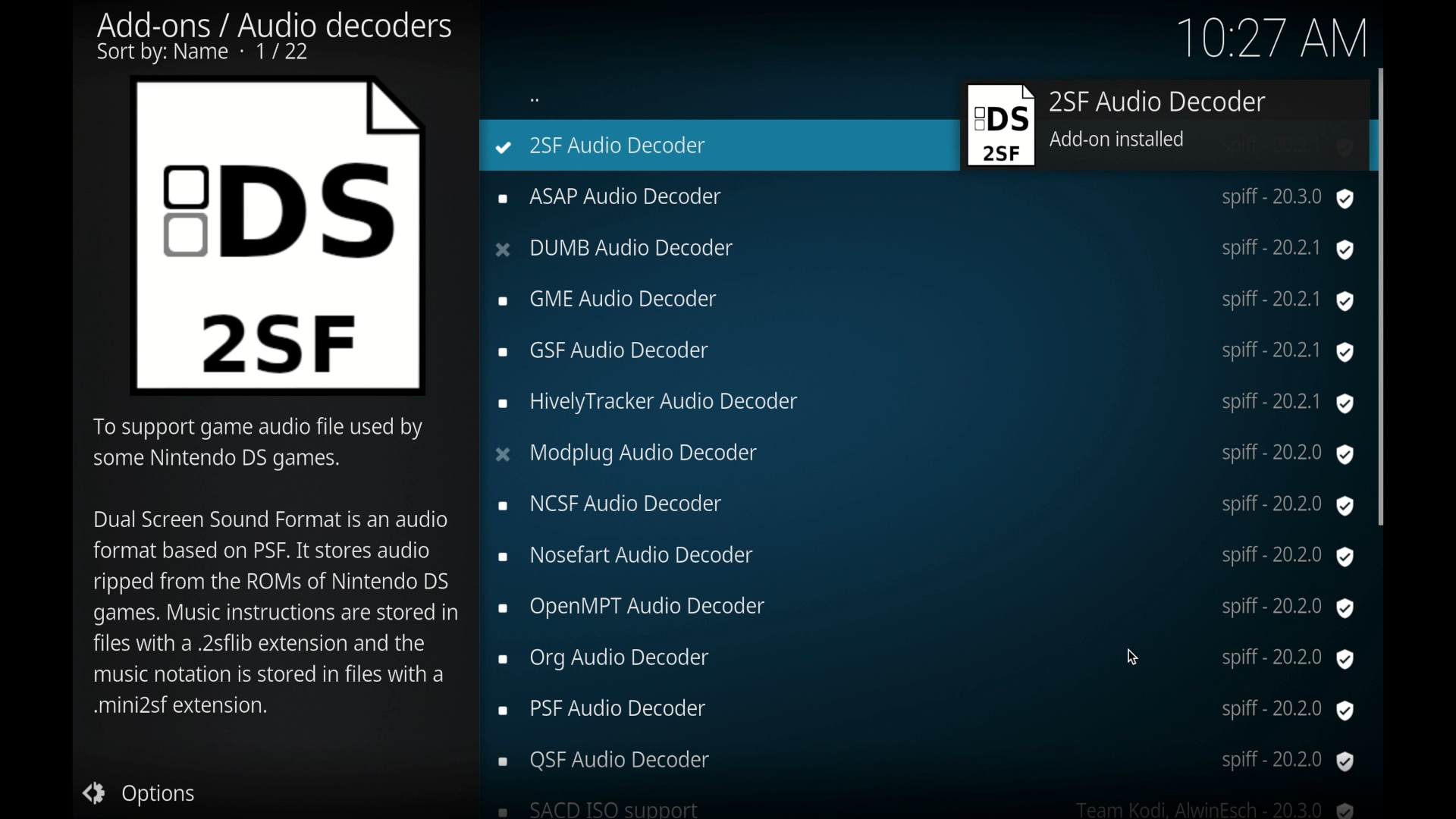 This screenshot has width=1456, height=819. I want to click on dumb audio decoder, so click(924, 249).